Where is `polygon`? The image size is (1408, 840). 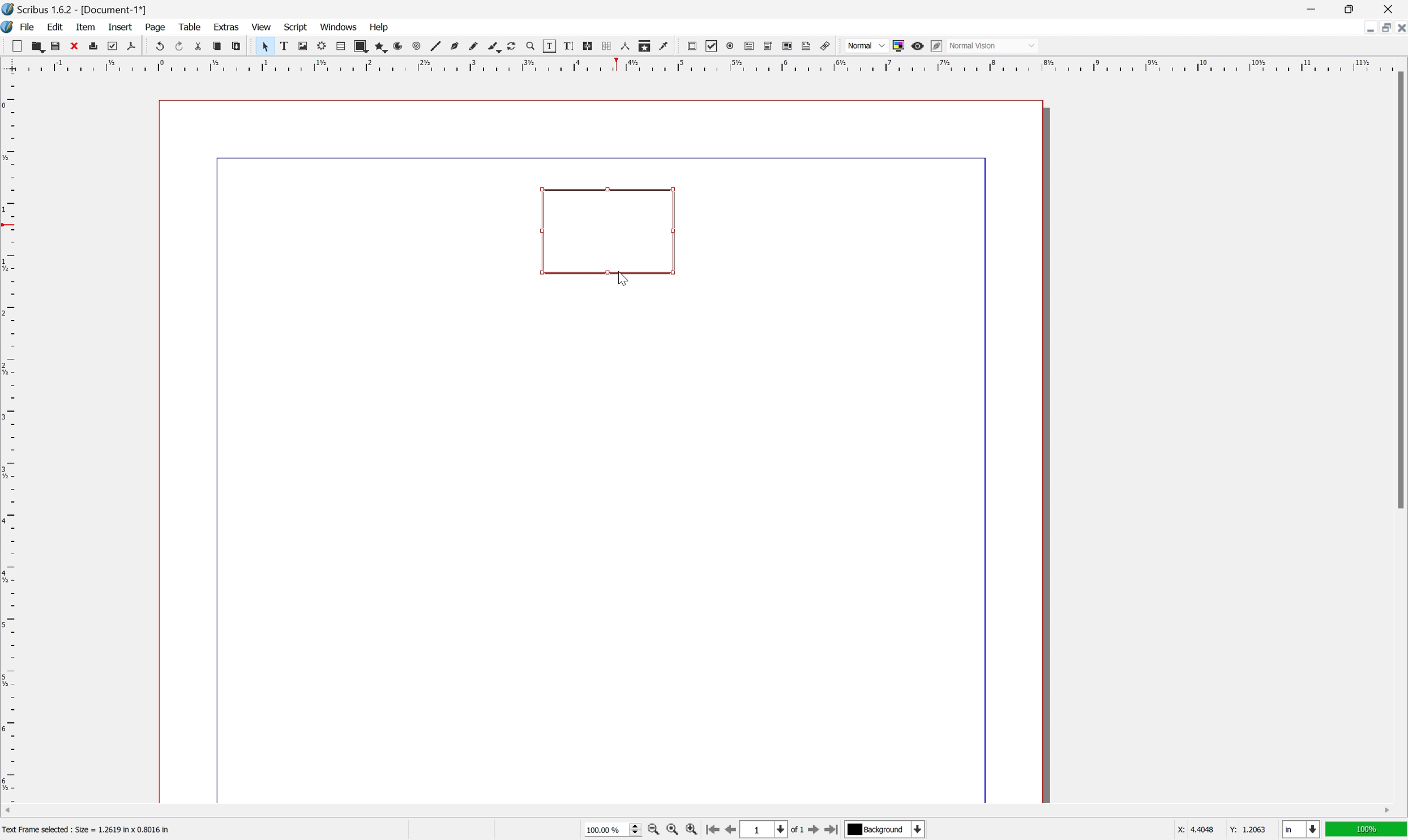
polygon is located at coordinates (379, 47).